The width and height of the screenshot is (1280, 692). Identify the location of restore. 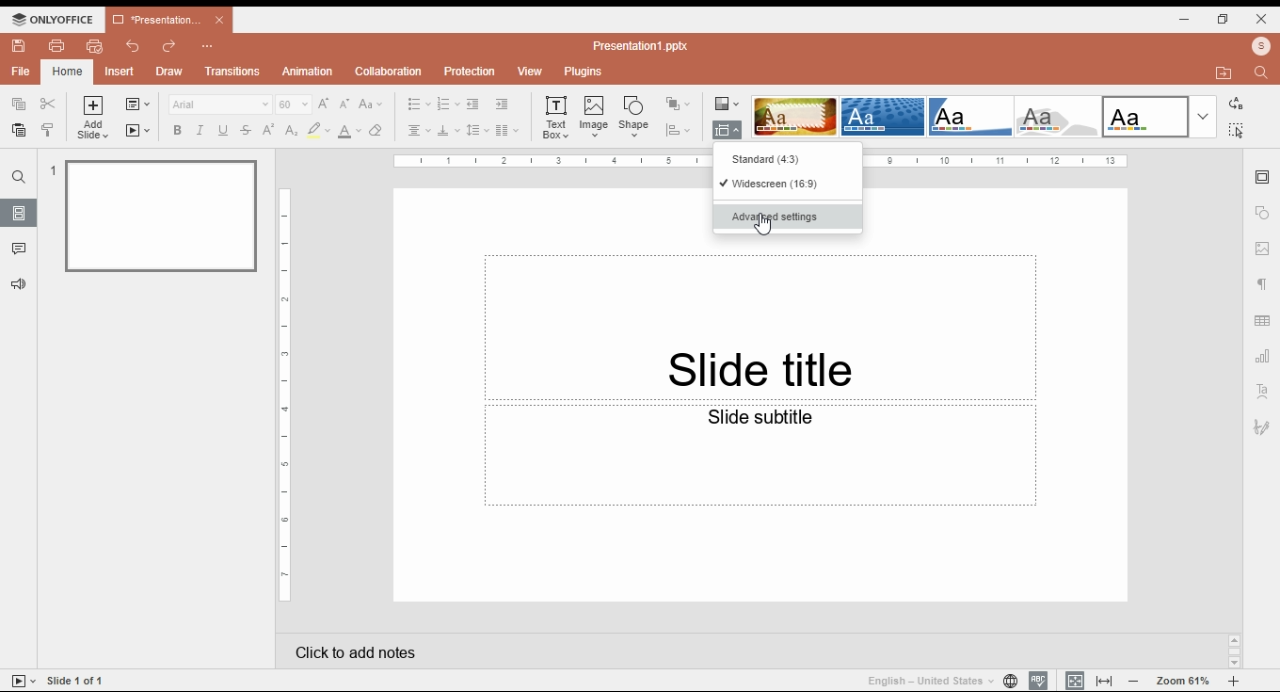
(1223, 19).